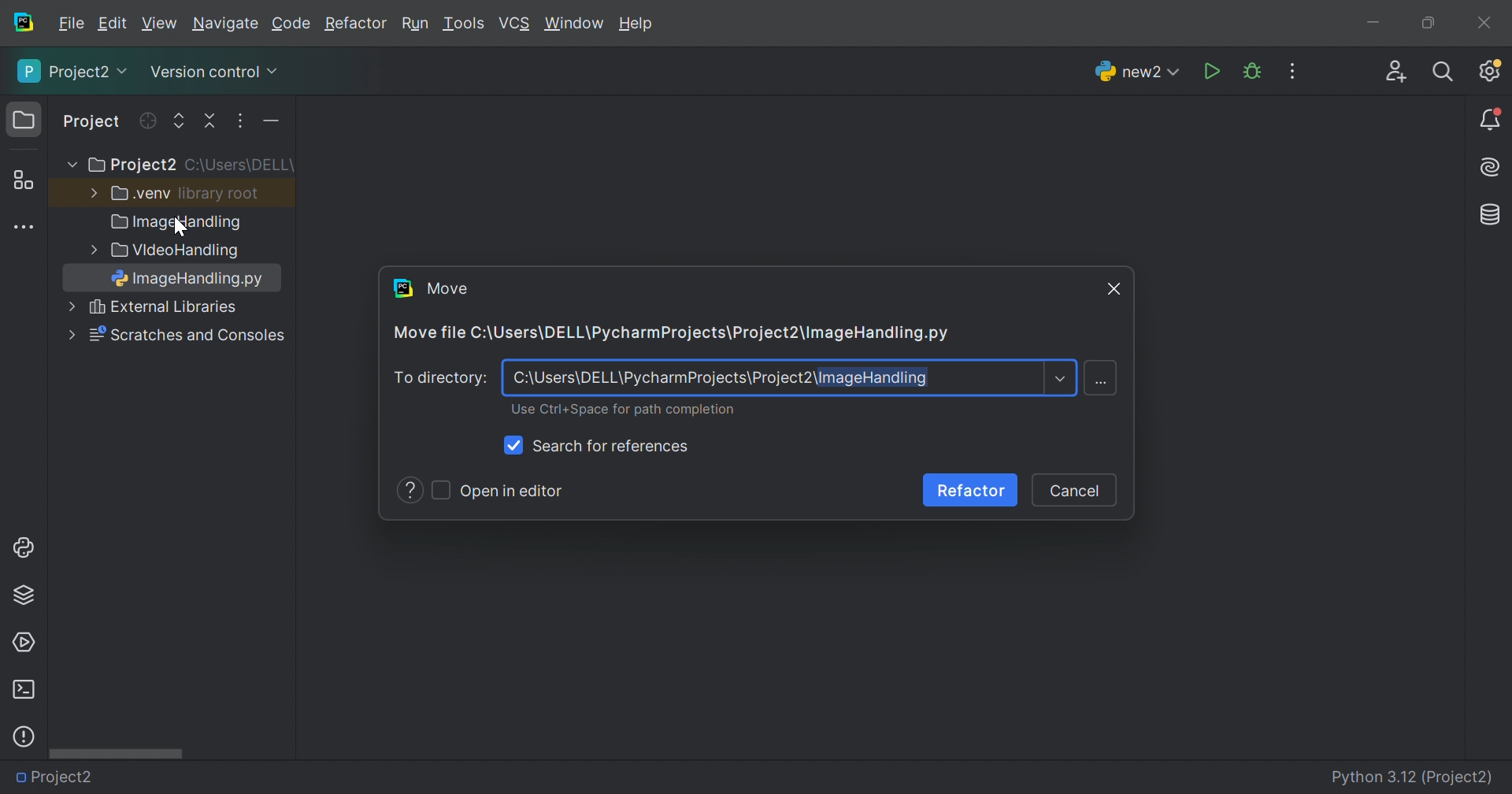 The height and width of the screenshot is (794, 1512). I want to click on More tool windows, so click(26, 228).